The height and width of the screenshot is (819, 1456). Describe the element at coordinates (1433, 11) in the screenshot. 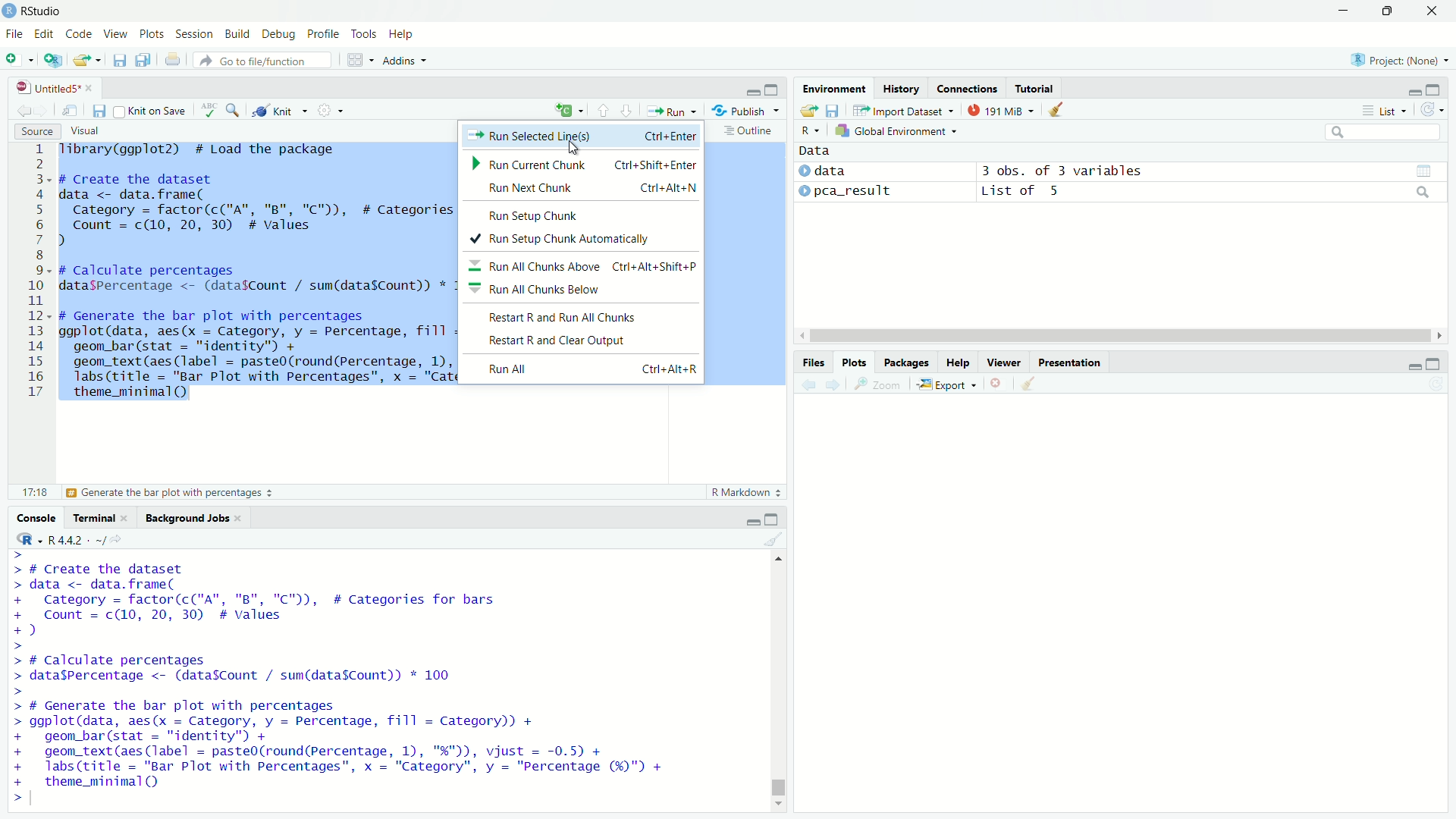

I see `close` at that location.